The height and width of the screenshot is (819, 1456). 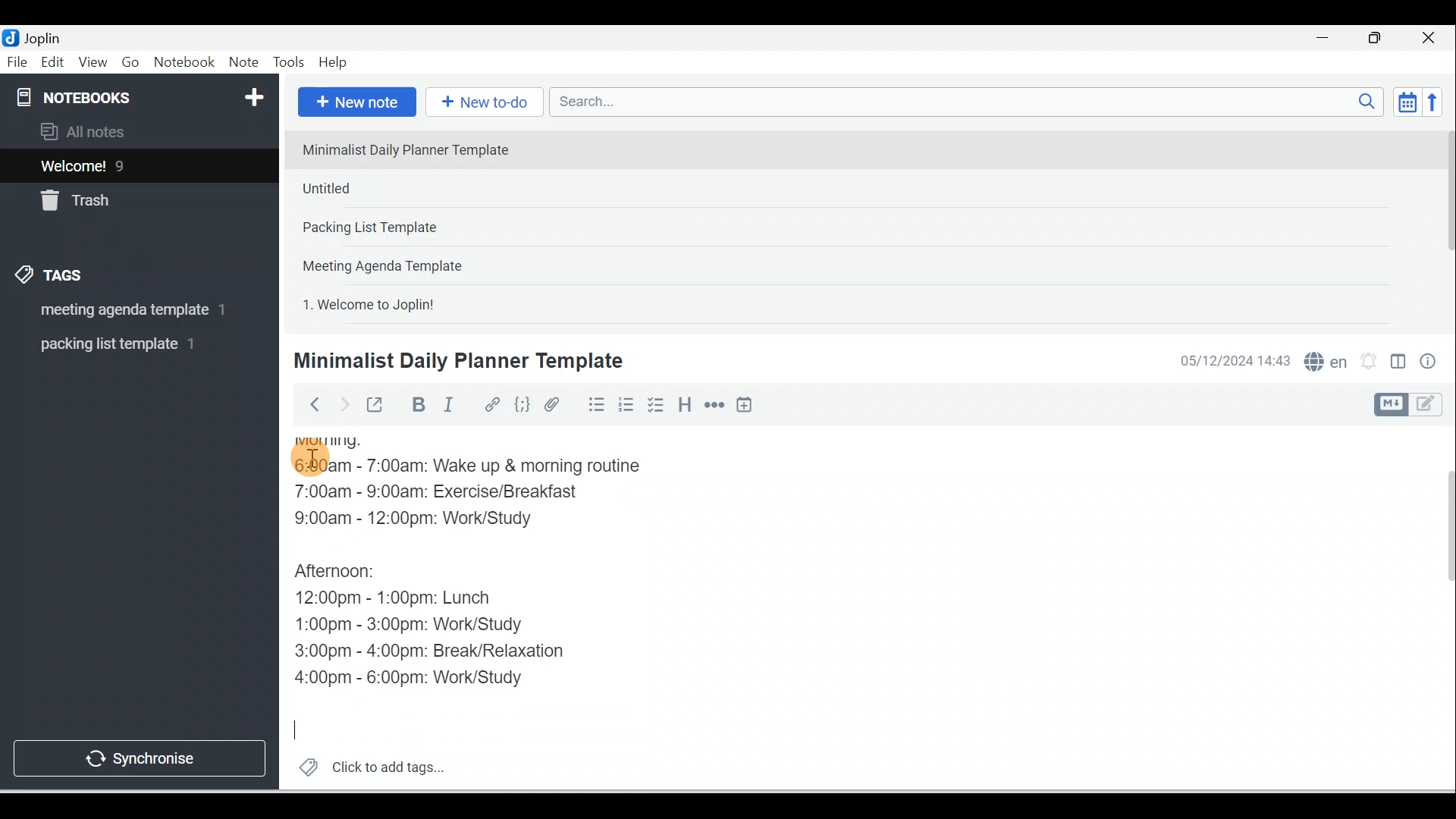 What do you see at coordinates (1437, 102) in the screenshot?
I see `Reverse sort` at bounding box center [1437, 102].